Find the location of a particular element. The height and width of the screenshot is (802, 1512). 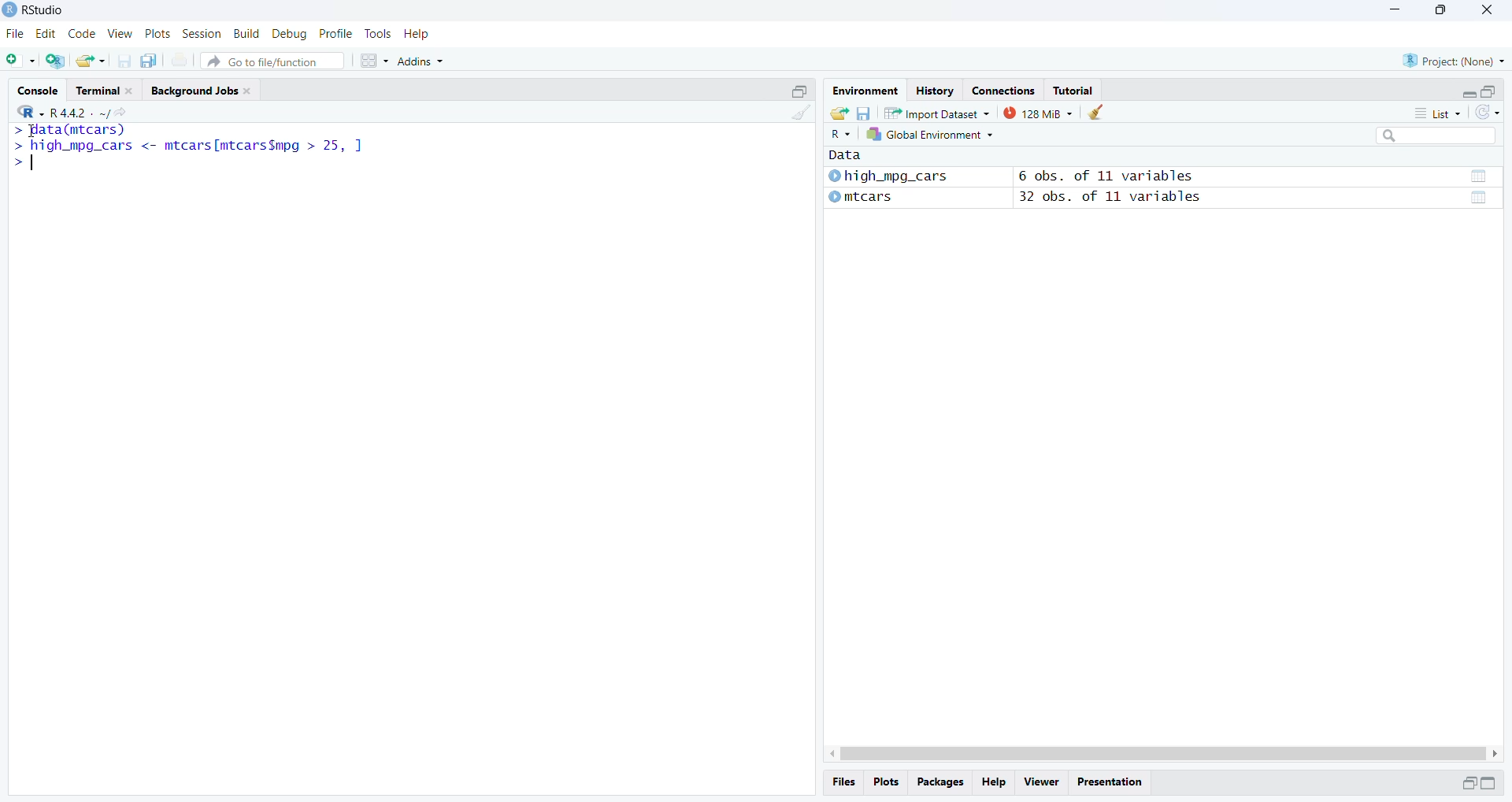

data is located at coordinates (1477, 176).